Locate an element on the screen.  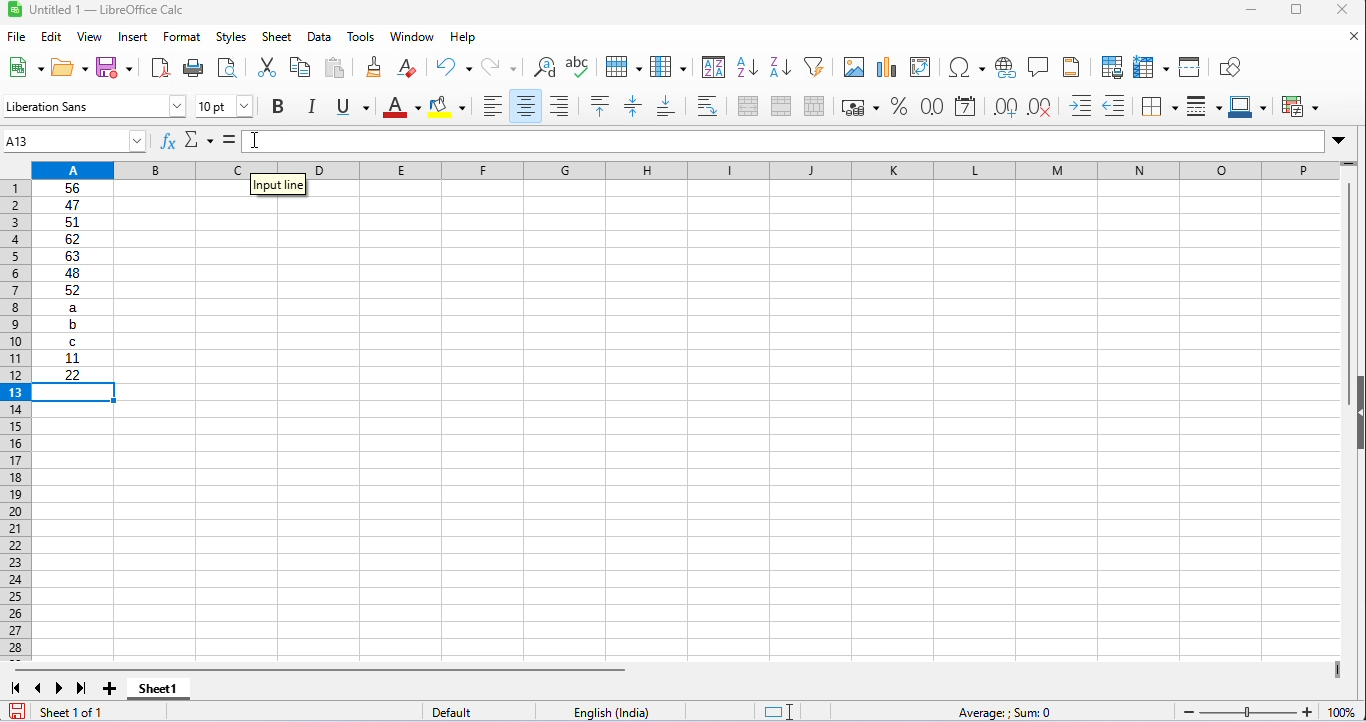
print is located at coordinates (192, 69).